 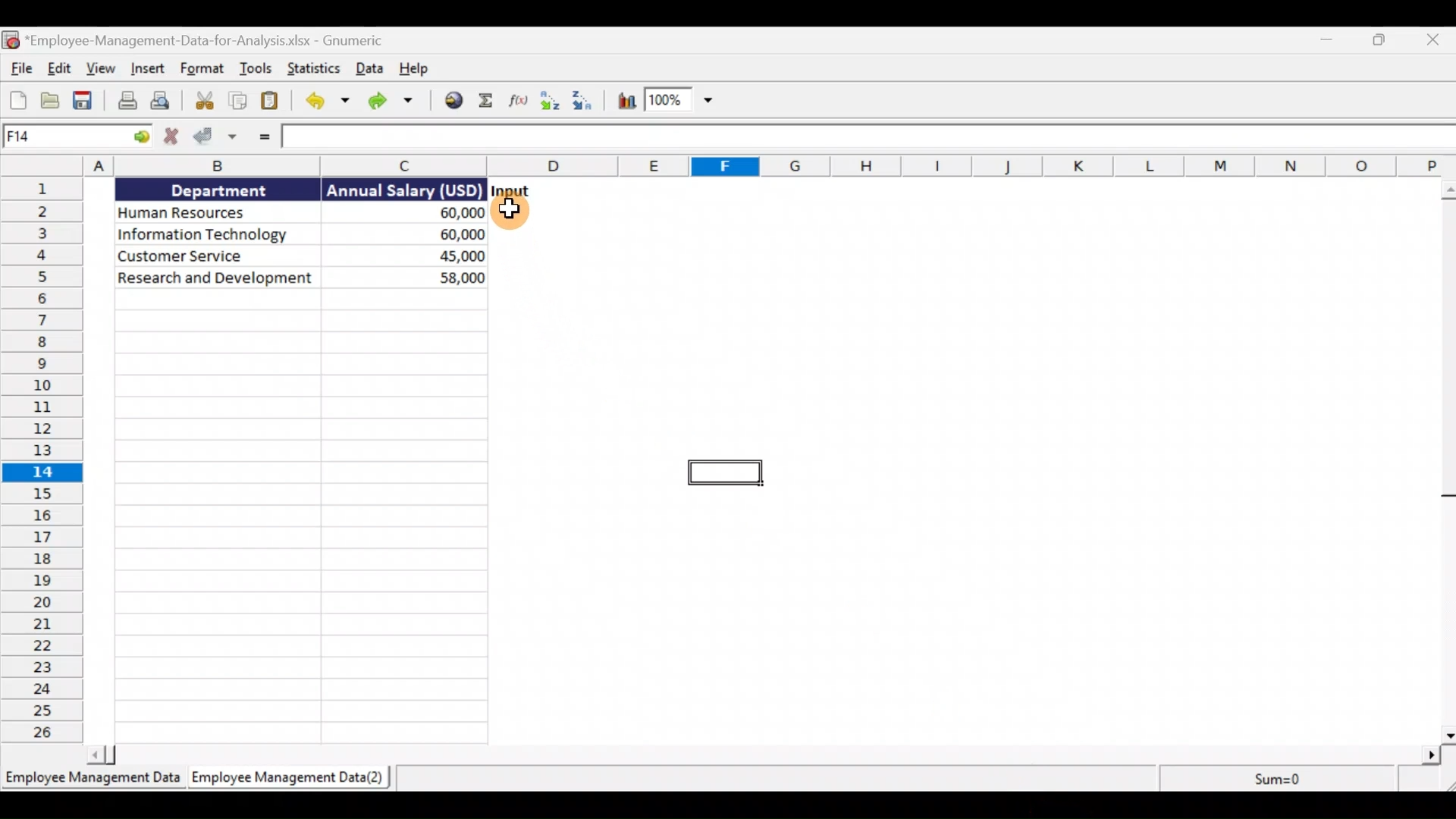 What do you see at coordinates (453, 102) in the screenshot?
I see `Insert hyperlink` at bounding box center [453, 102].